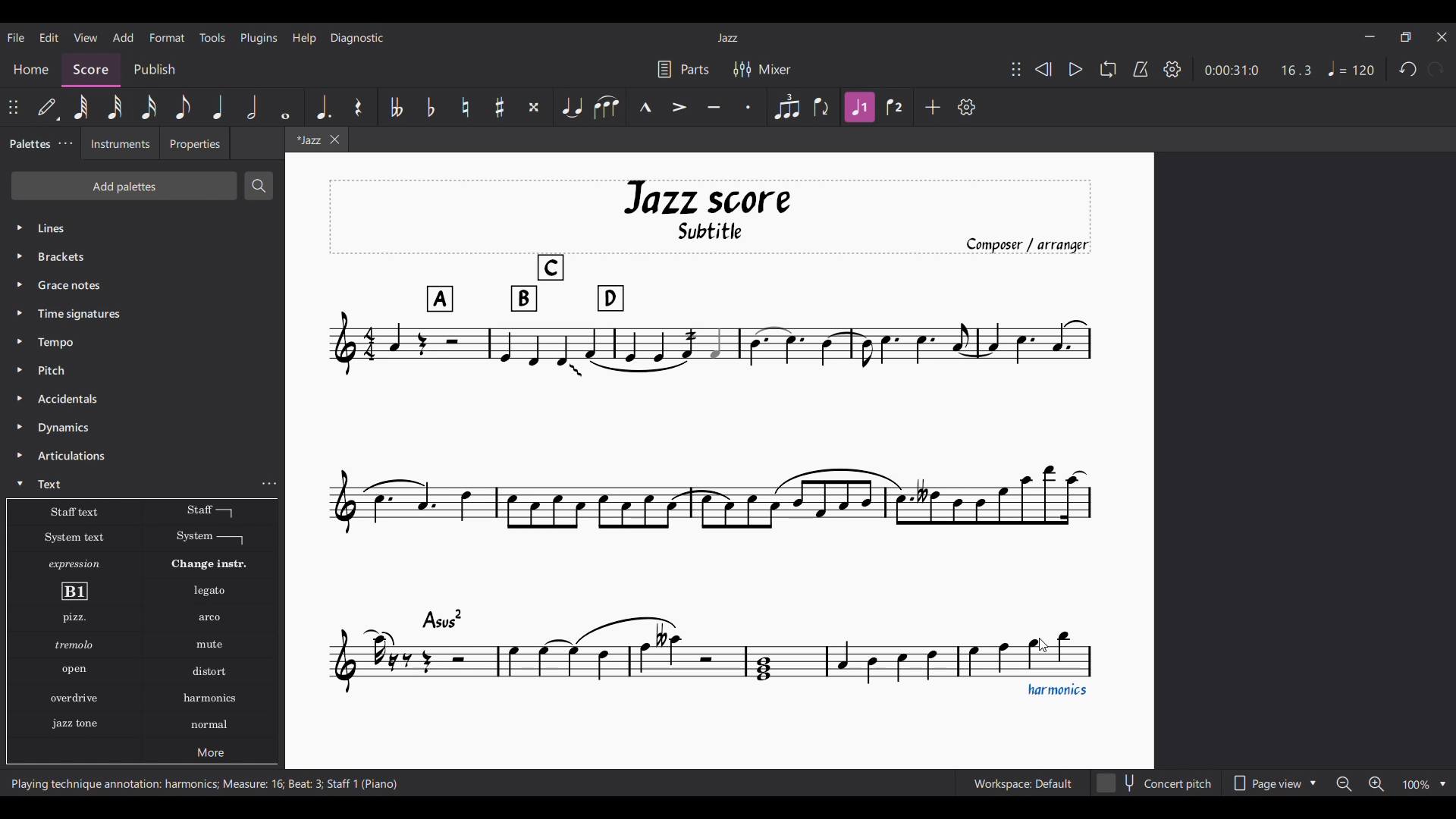  Describe the element at coordinates (679, 107) in the screenshot. I see `Accent` at that location.